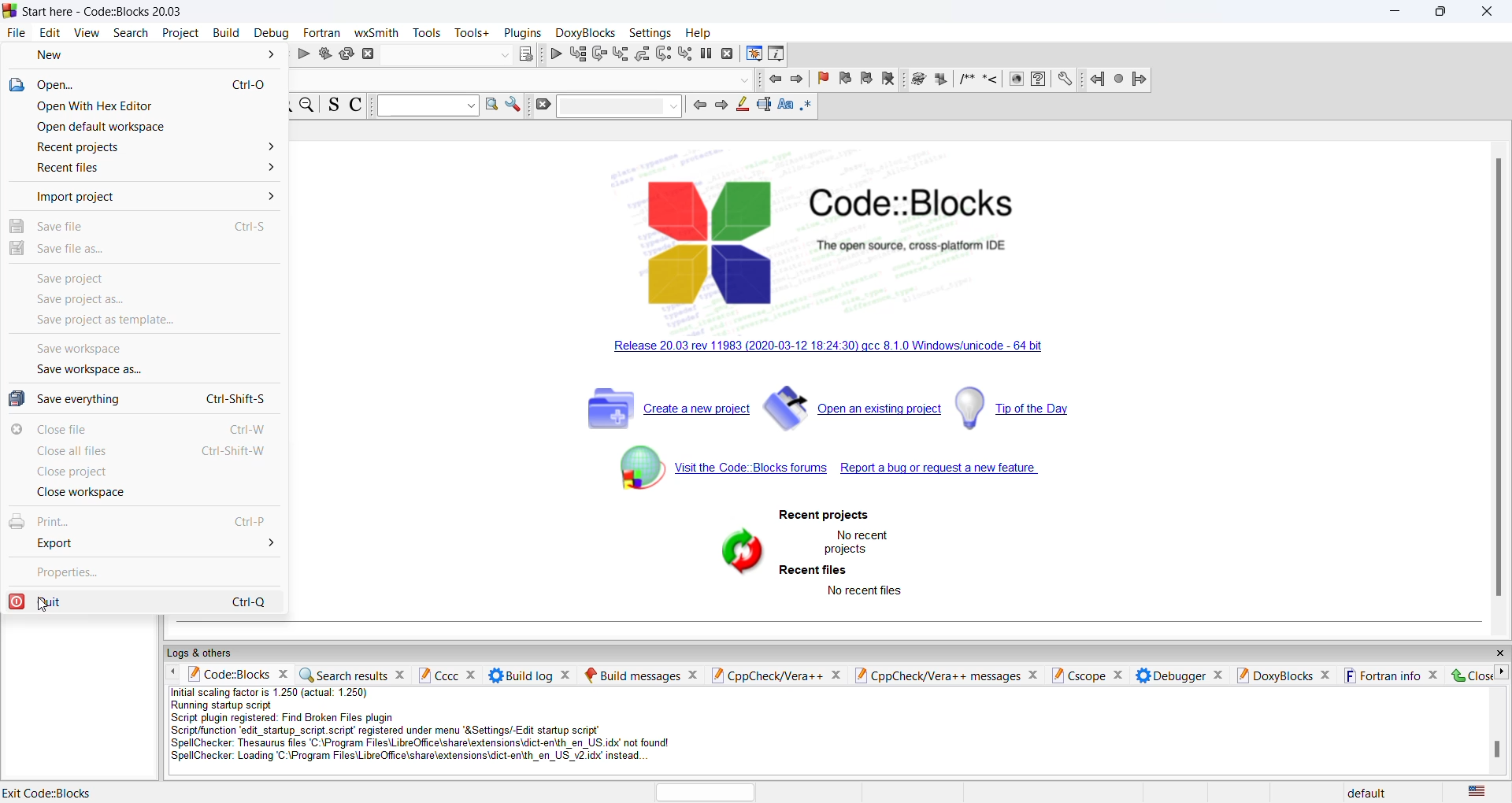  I want to click on close, so click(1220, 675).